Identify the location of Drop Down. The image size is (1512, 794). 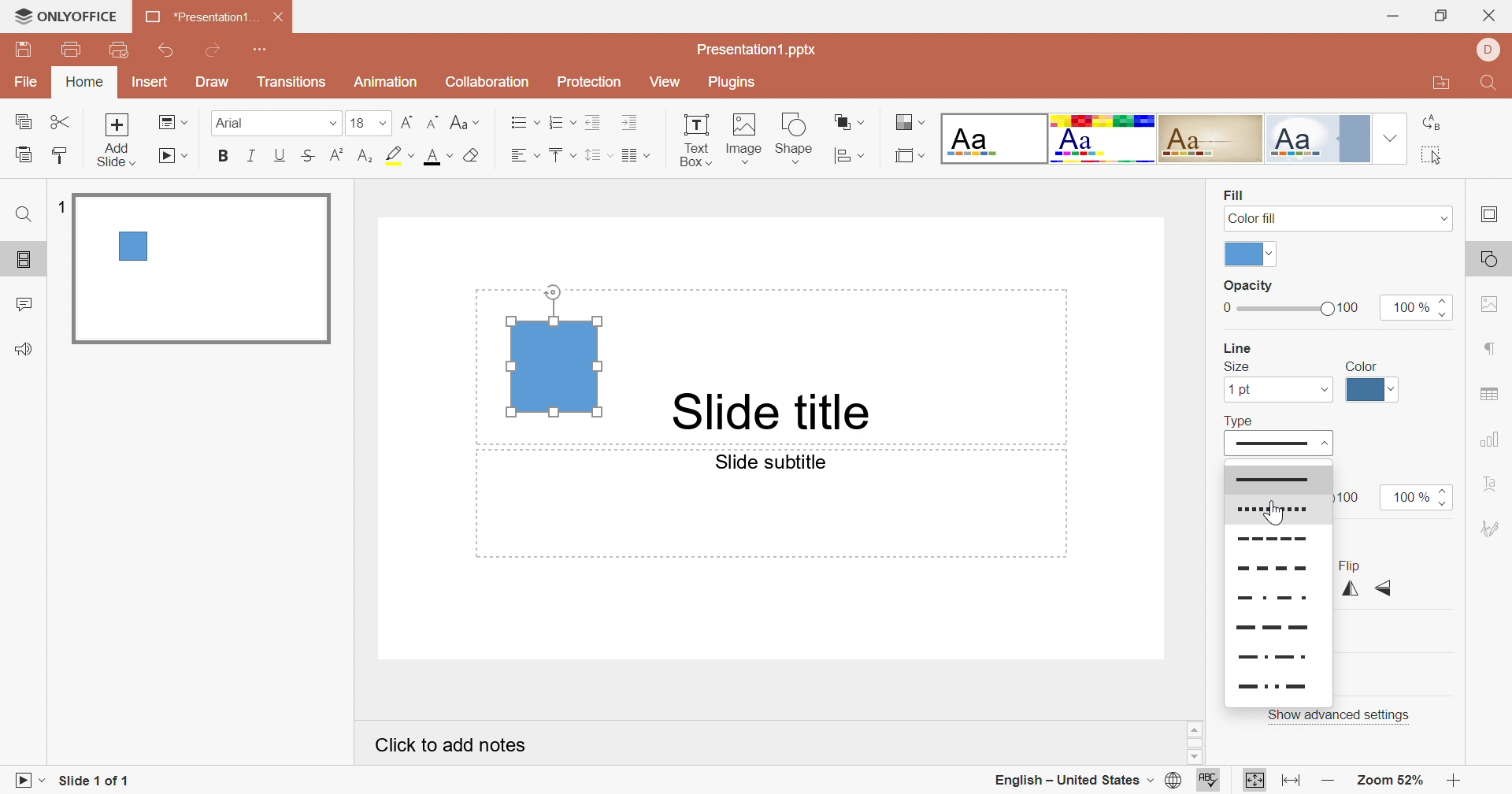
(1440, 217).